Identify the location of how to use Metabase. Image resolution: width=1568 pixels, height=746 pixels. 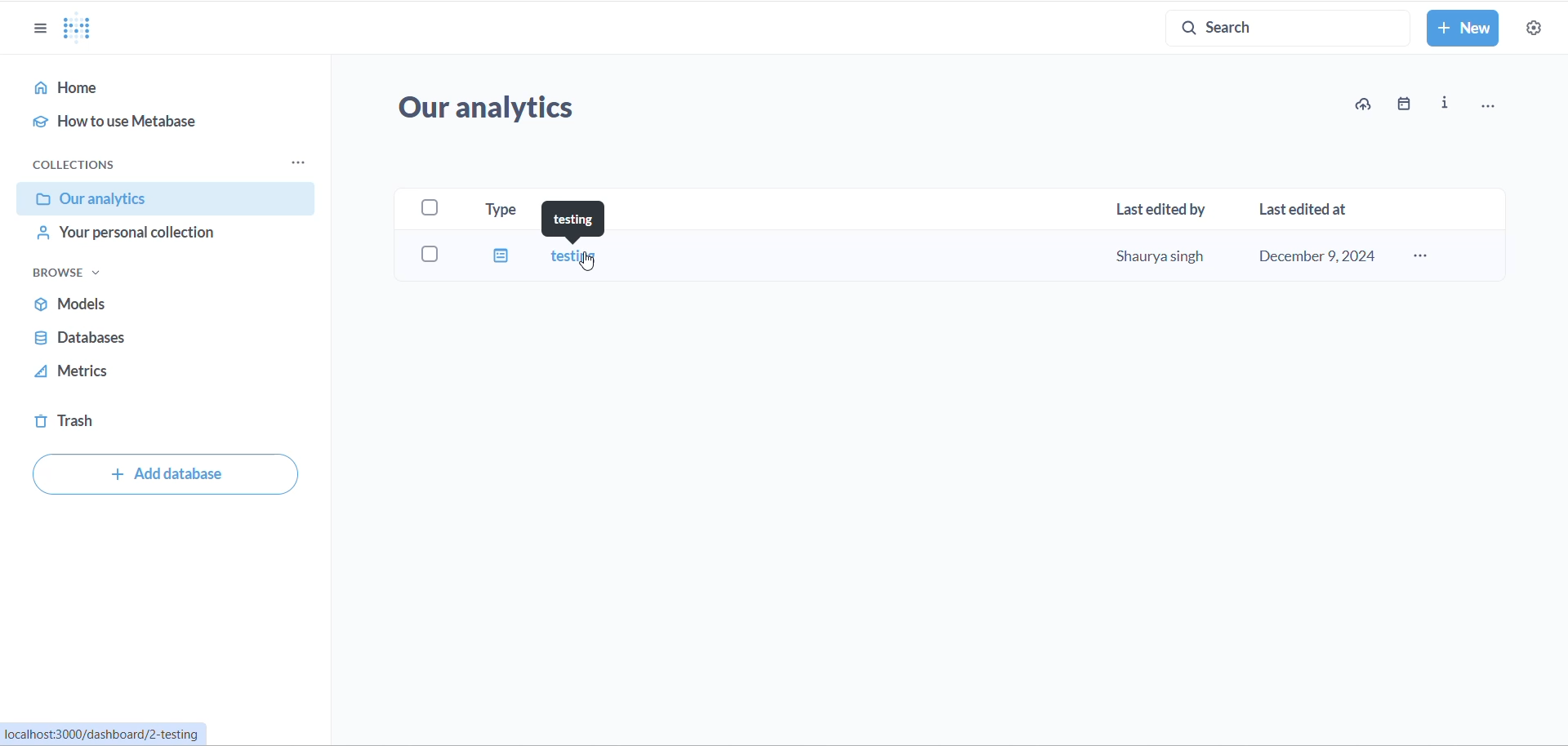
(167, 122).